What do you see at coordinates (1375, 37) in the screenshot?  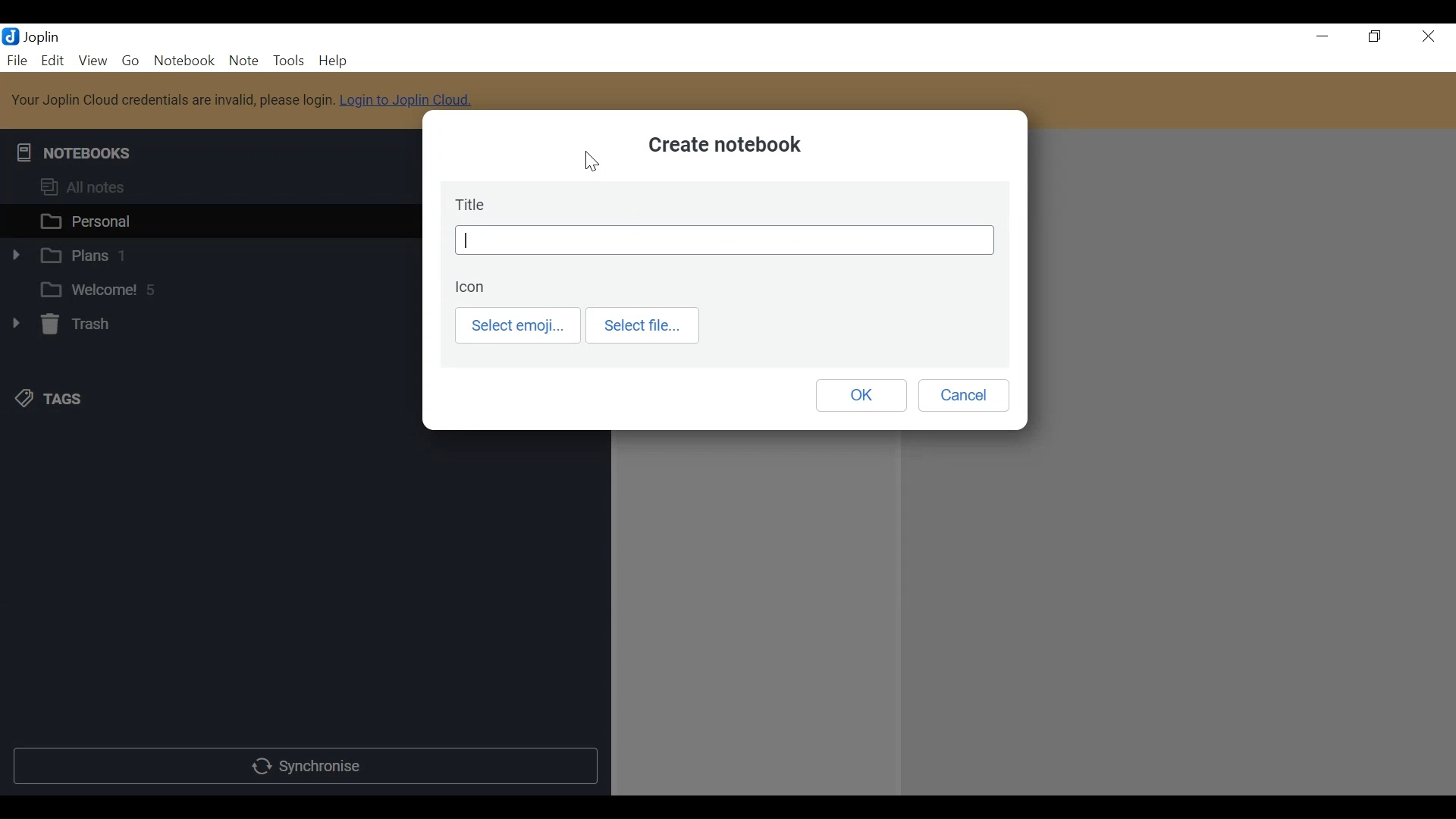 I see `restore` at bounding box center [1375, 37].